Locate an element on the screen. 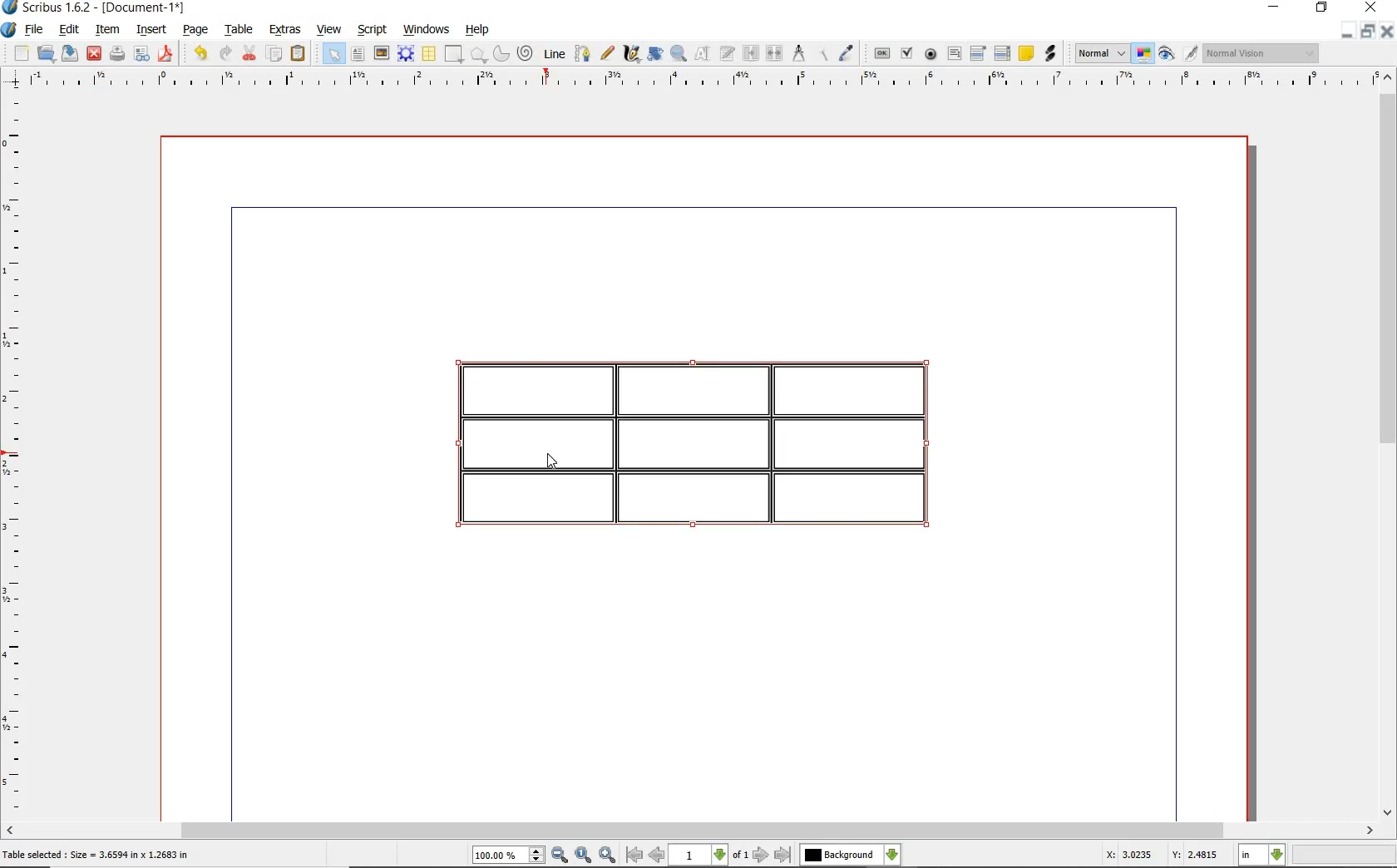 This screenshot has width=1397, height=868. zoom factor is located at coordinates (1344, 856).